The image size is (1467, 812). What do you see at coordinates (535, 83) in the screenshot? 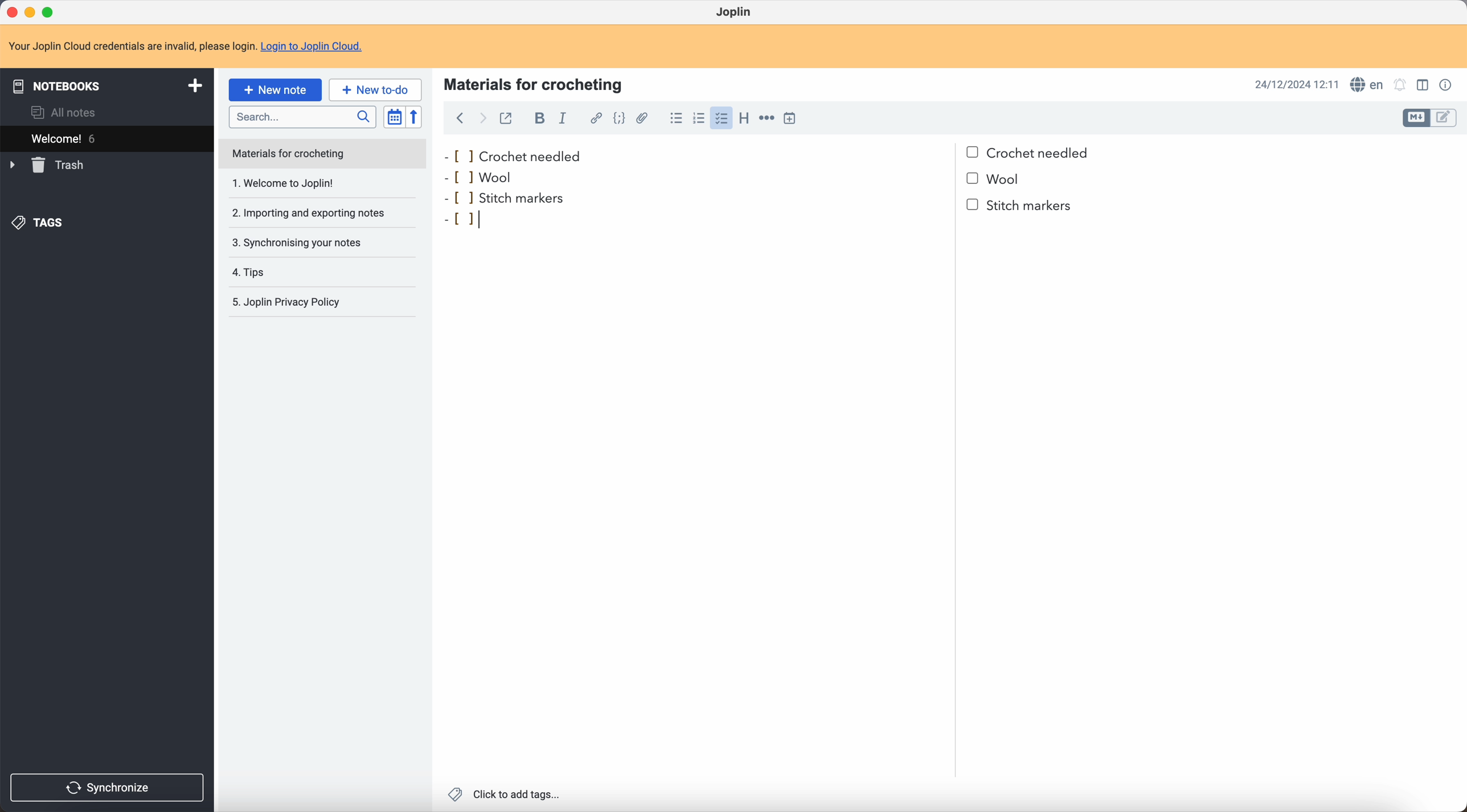
I see `materials for crocheting` at bounding box center [535, 83].